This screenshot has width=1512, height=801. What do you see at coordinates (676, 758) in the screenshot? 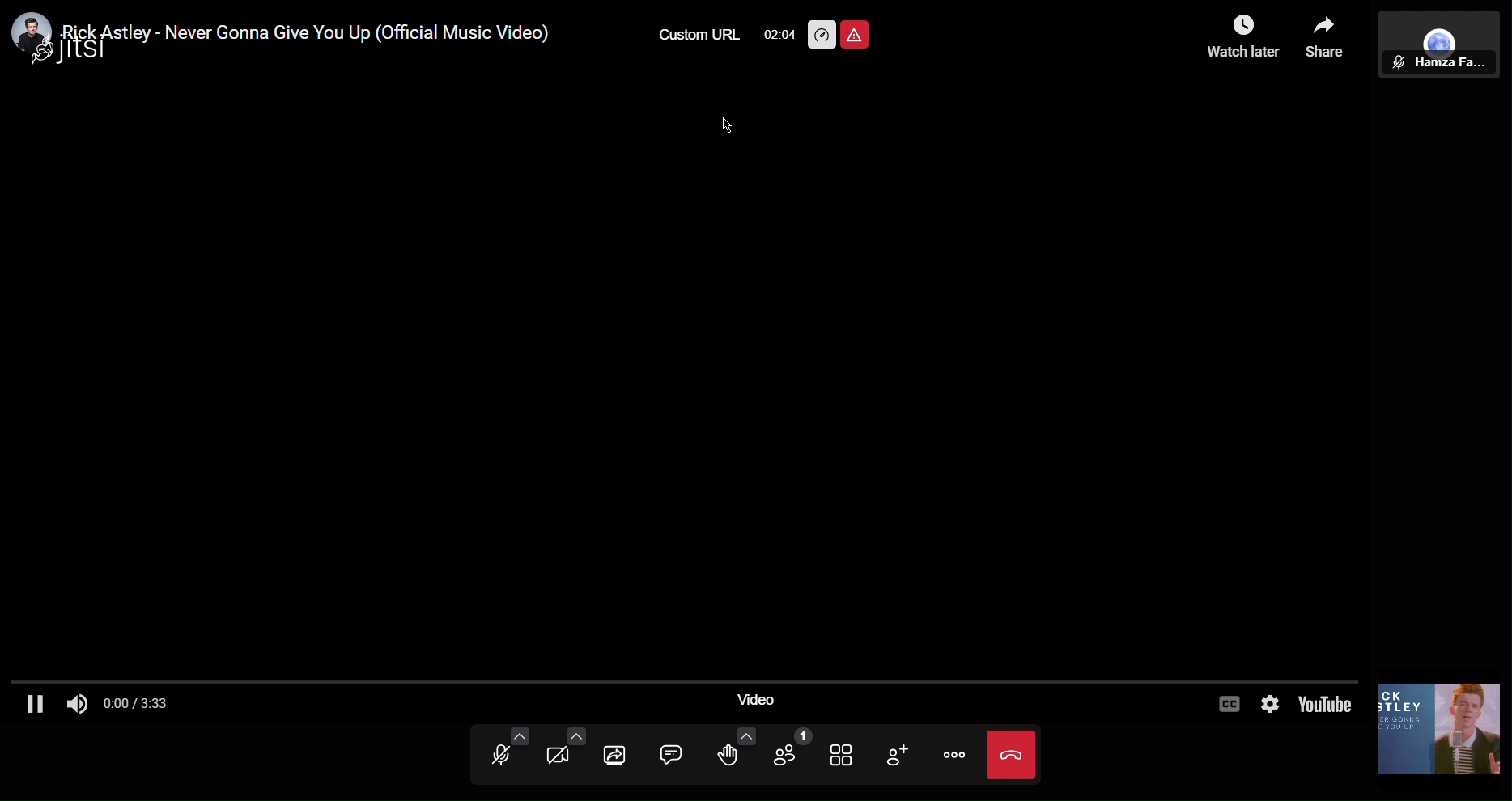
I see `Chat` at bounding box center [676, 758].